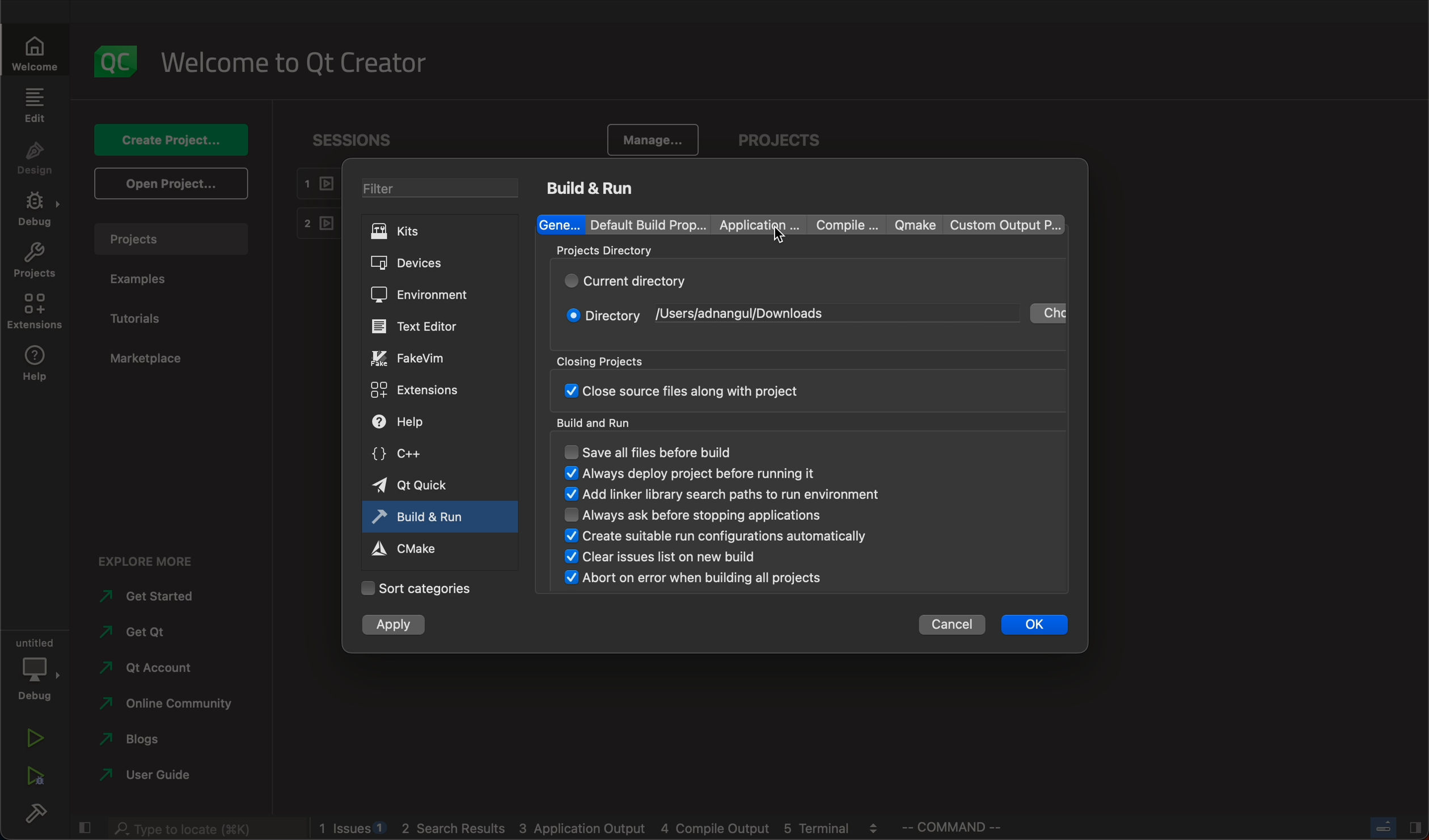 This screenshot has width=1429, height=840. Describe the element at coordinates (801, 253) in the screenshot. I see `project directory` at that location.